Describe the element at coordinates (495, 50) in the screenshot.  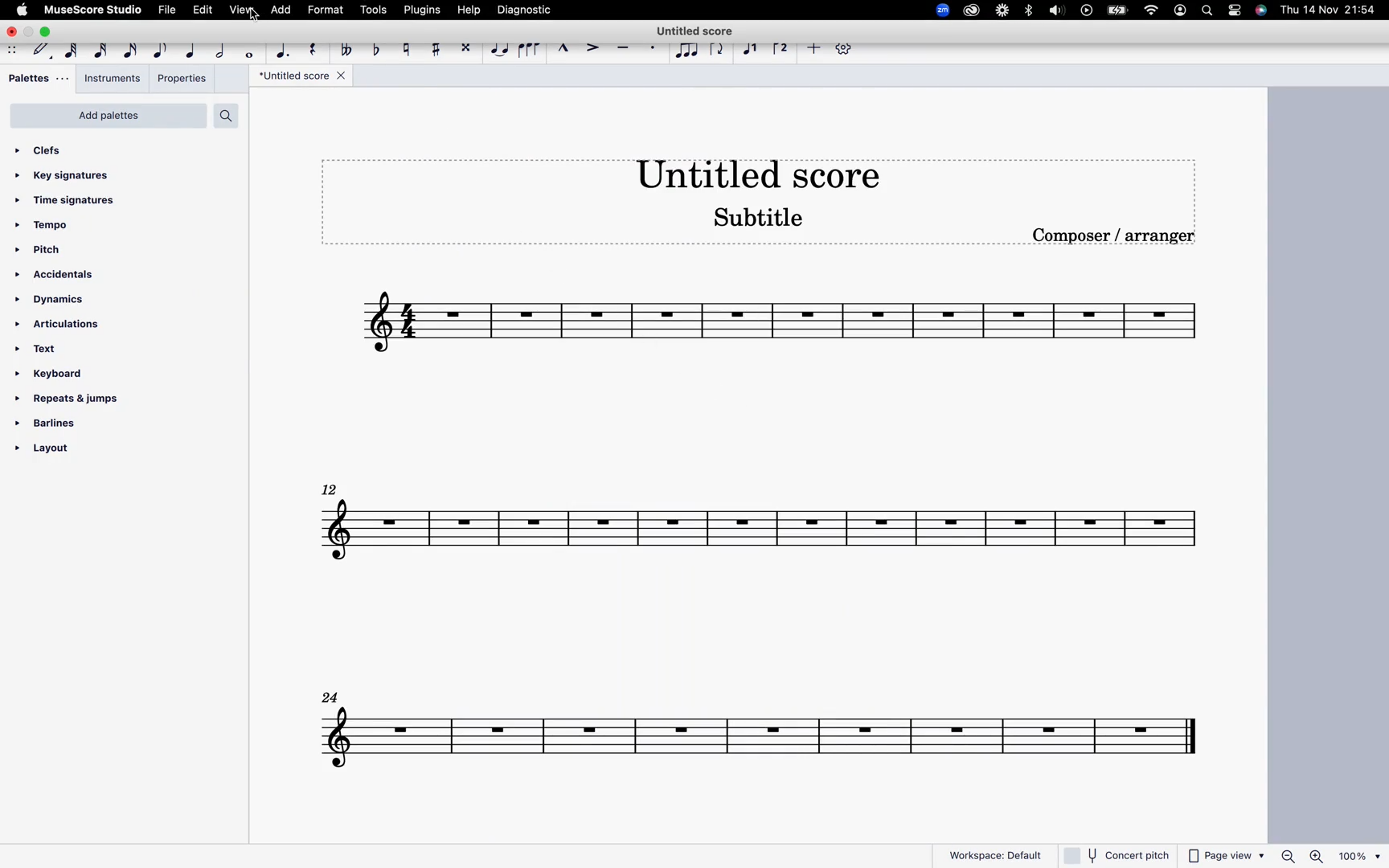
I see `tie` at that location.